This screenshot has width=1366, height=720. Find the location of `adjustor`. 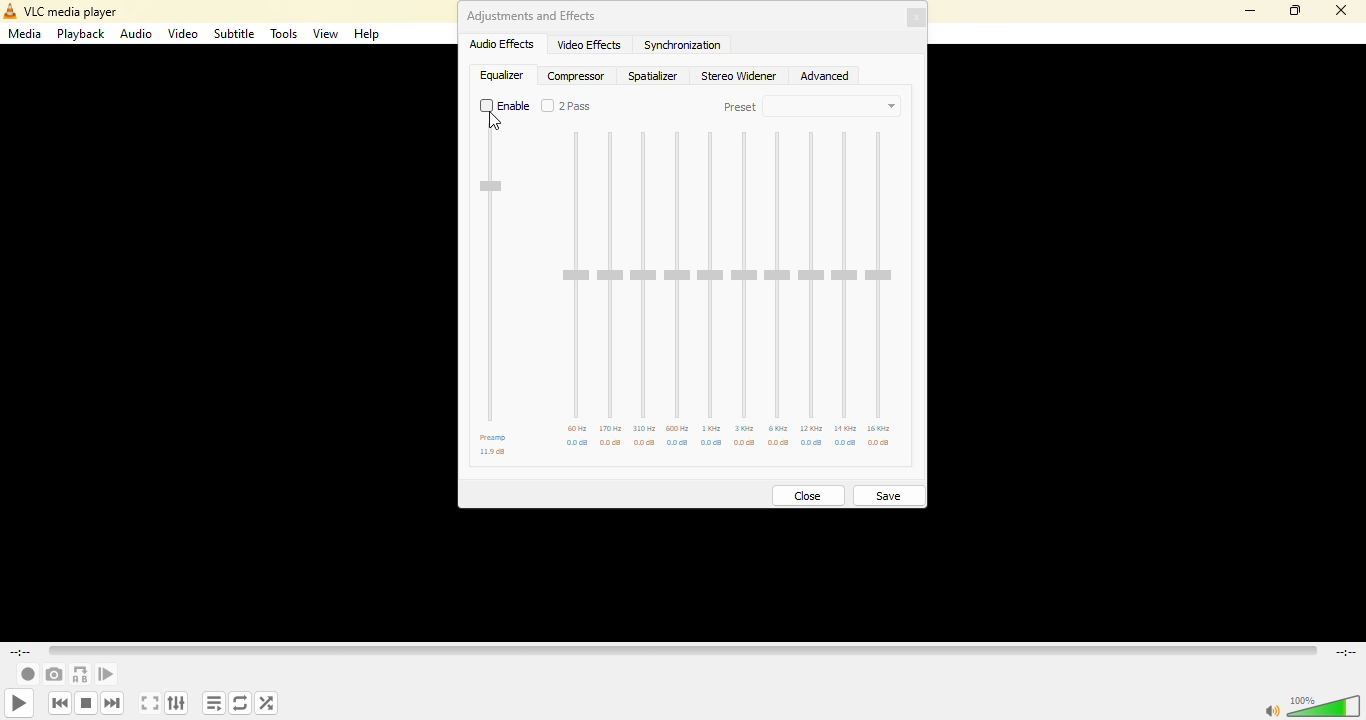

adjustor is located at coordinates (611, 275).